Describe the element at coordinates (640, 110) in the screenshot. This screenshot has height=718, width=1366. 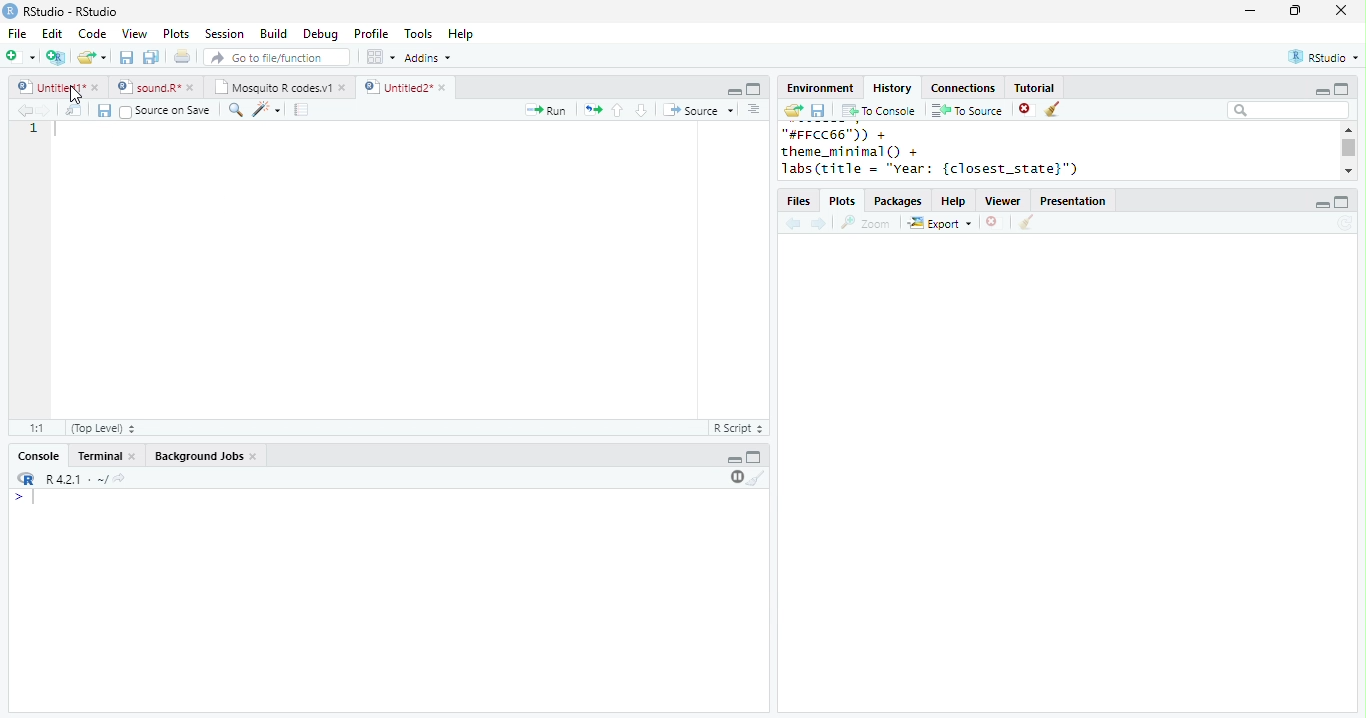
I see `down` at that location.